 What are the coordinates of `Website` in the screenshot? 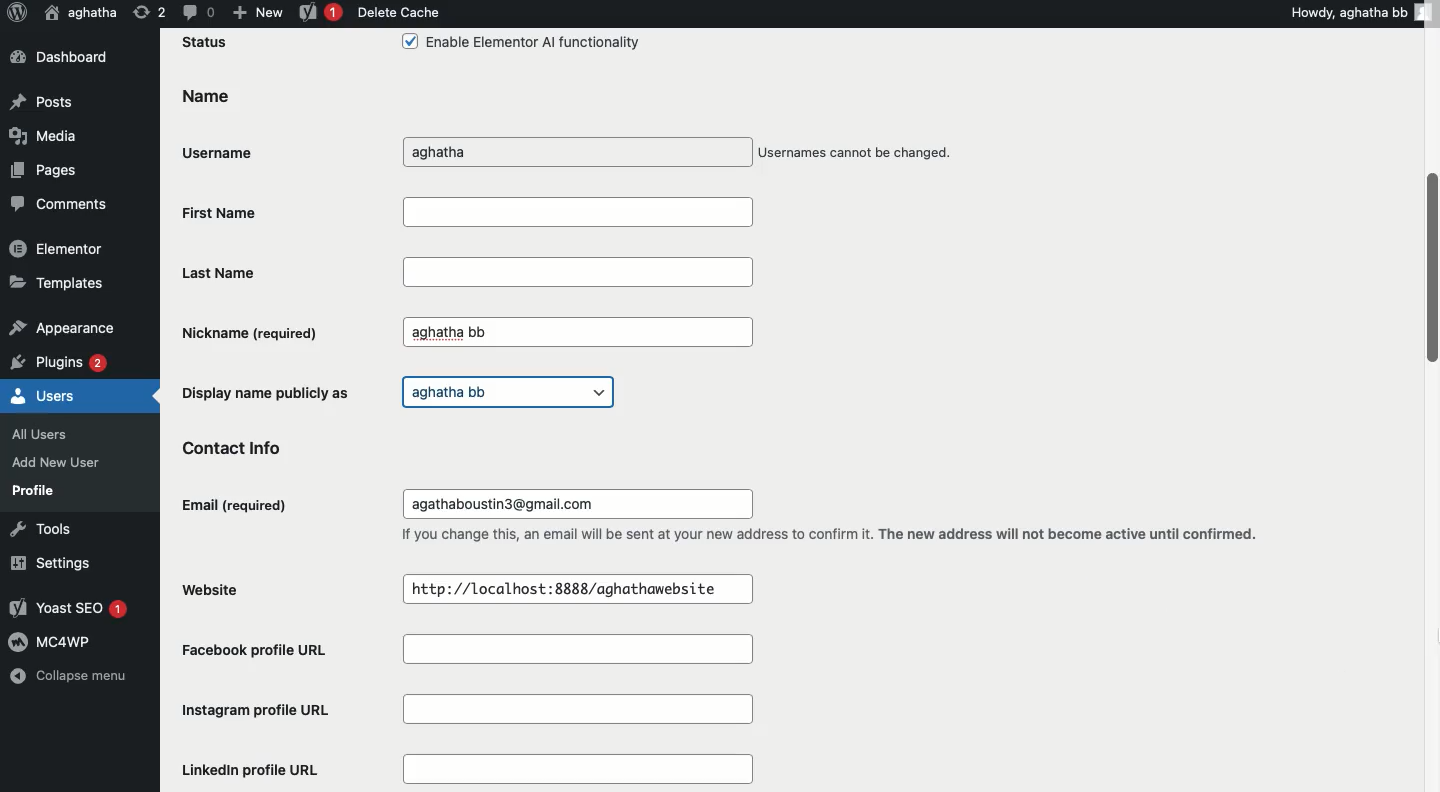 It's located at (220, 588).